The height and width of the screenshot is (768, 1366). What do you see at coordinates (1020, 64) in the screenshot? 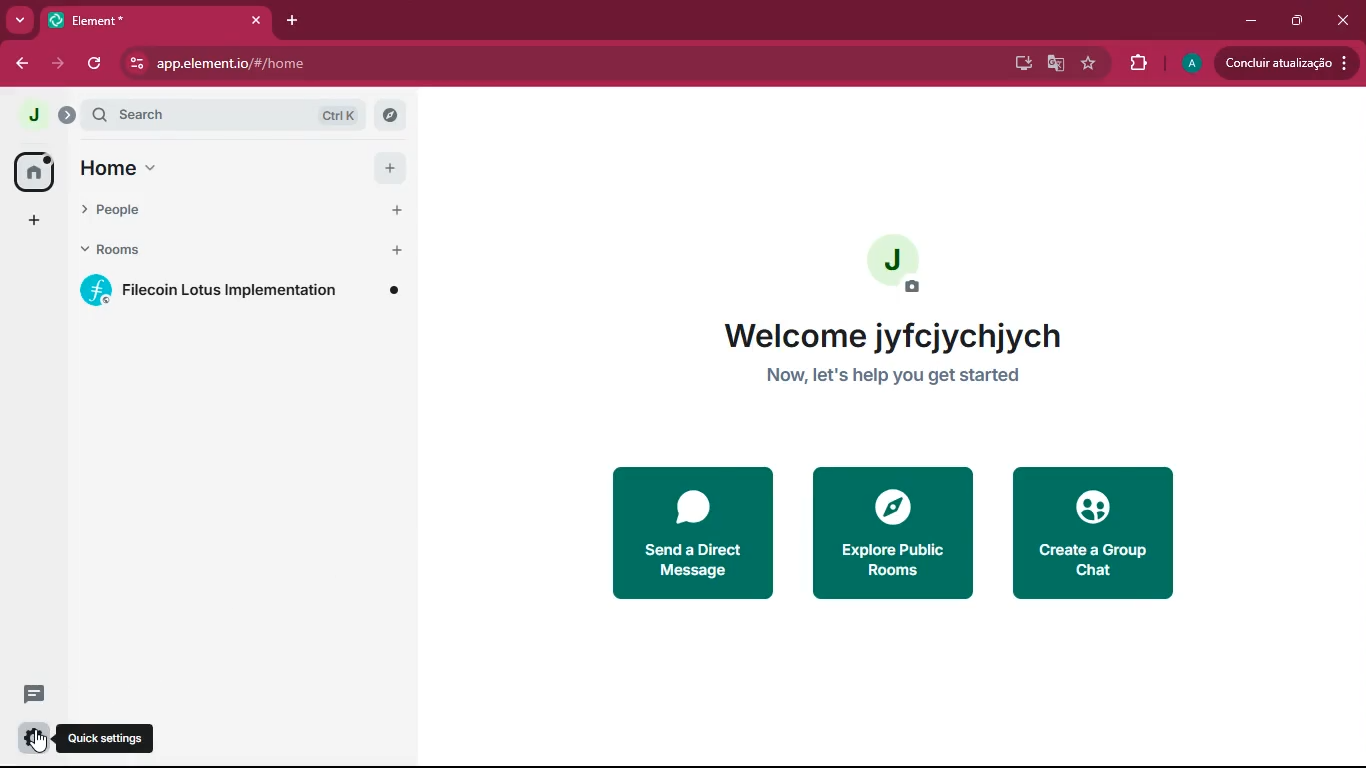
I see `desktop` at bounding box center [1020, 64].